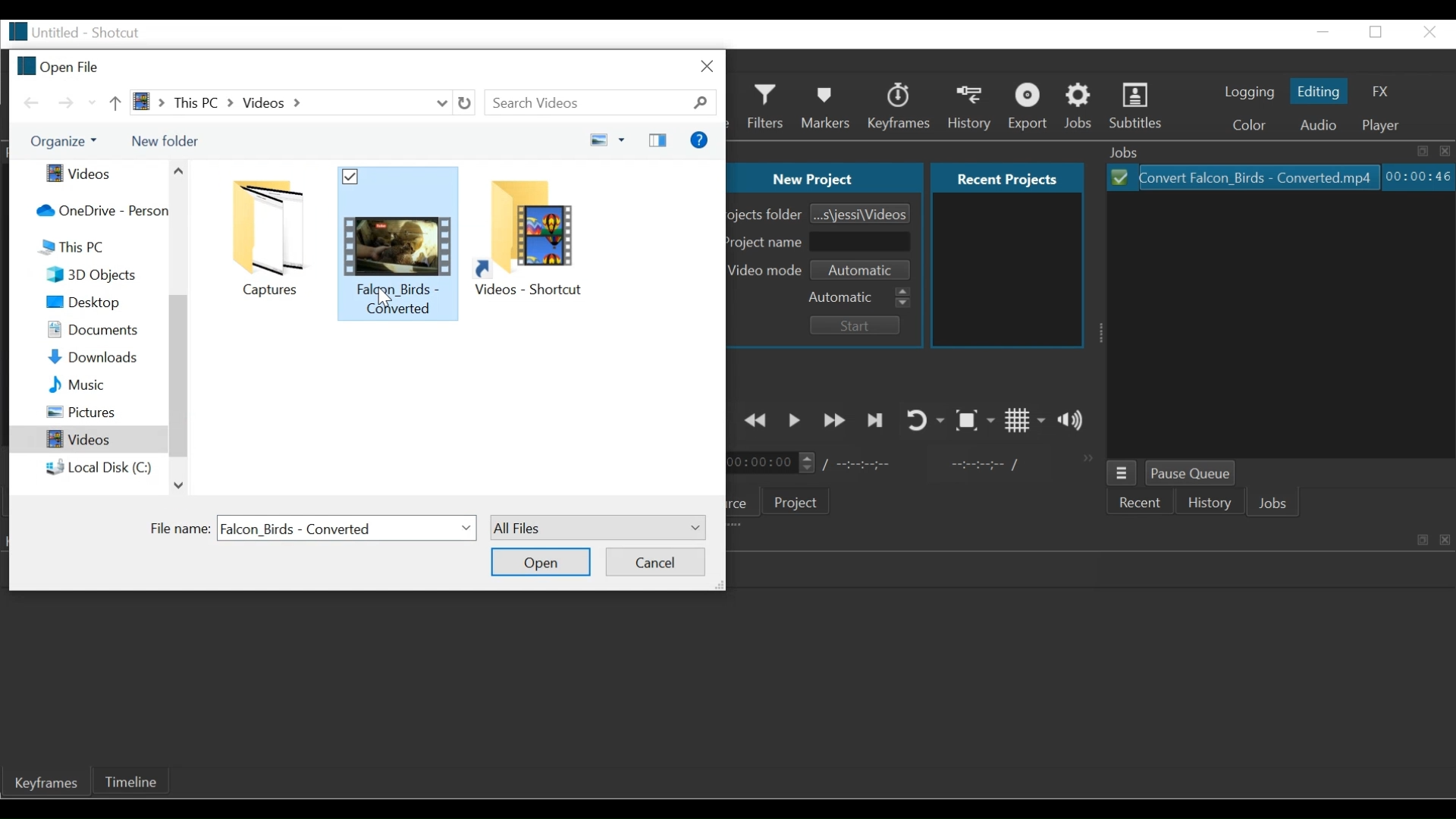 Image resolution: width=1456 pixels, height=819 pixels. Describe the element at coordinates (1275, 502) in the screenshot. I see `Jobs` at that location.